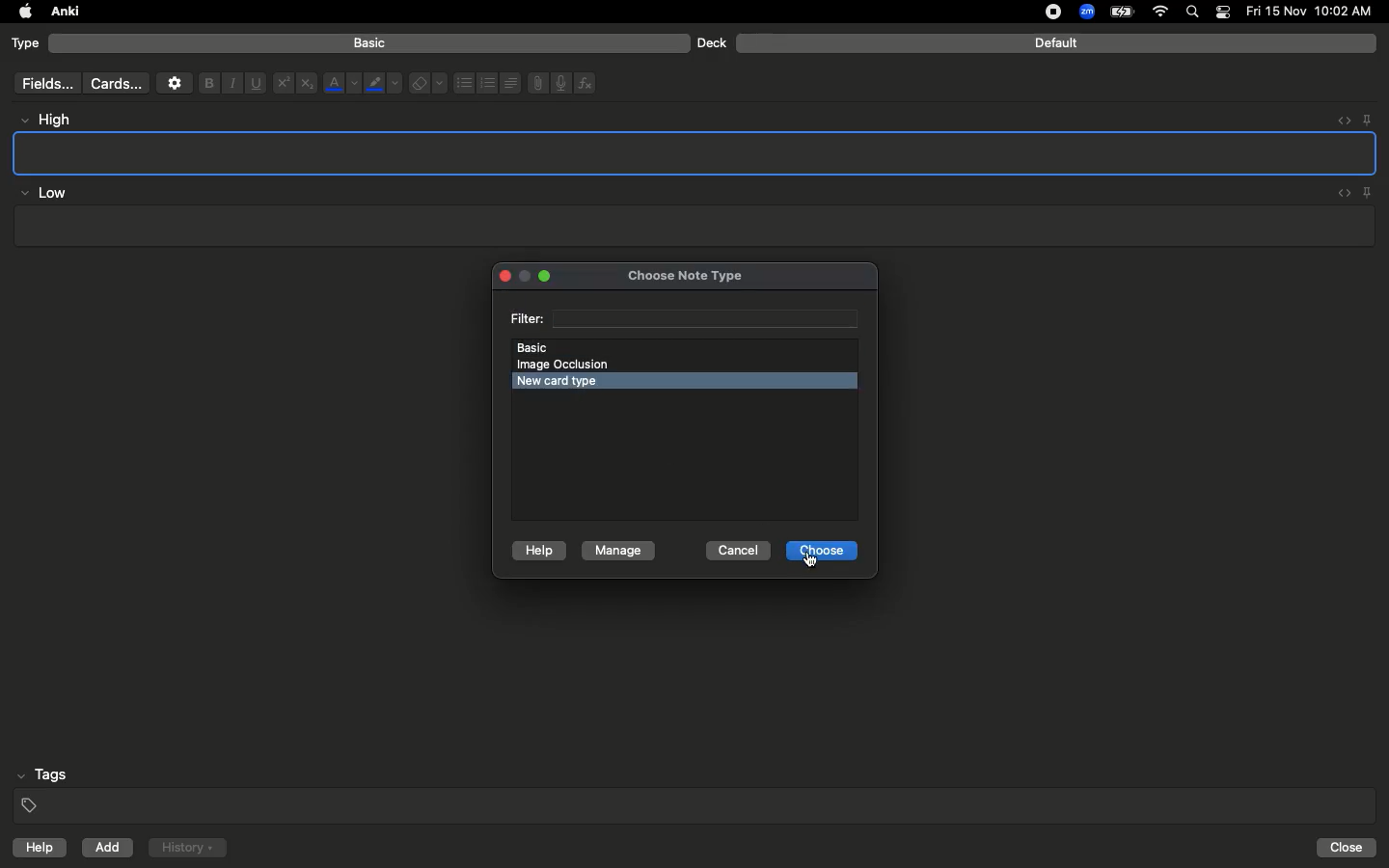 The width and height of the screenshot is (1389, 868). What do you see at coordinates (683, 346) in the screenshot?
I see `Basic ` at bounding box center [683, 346].